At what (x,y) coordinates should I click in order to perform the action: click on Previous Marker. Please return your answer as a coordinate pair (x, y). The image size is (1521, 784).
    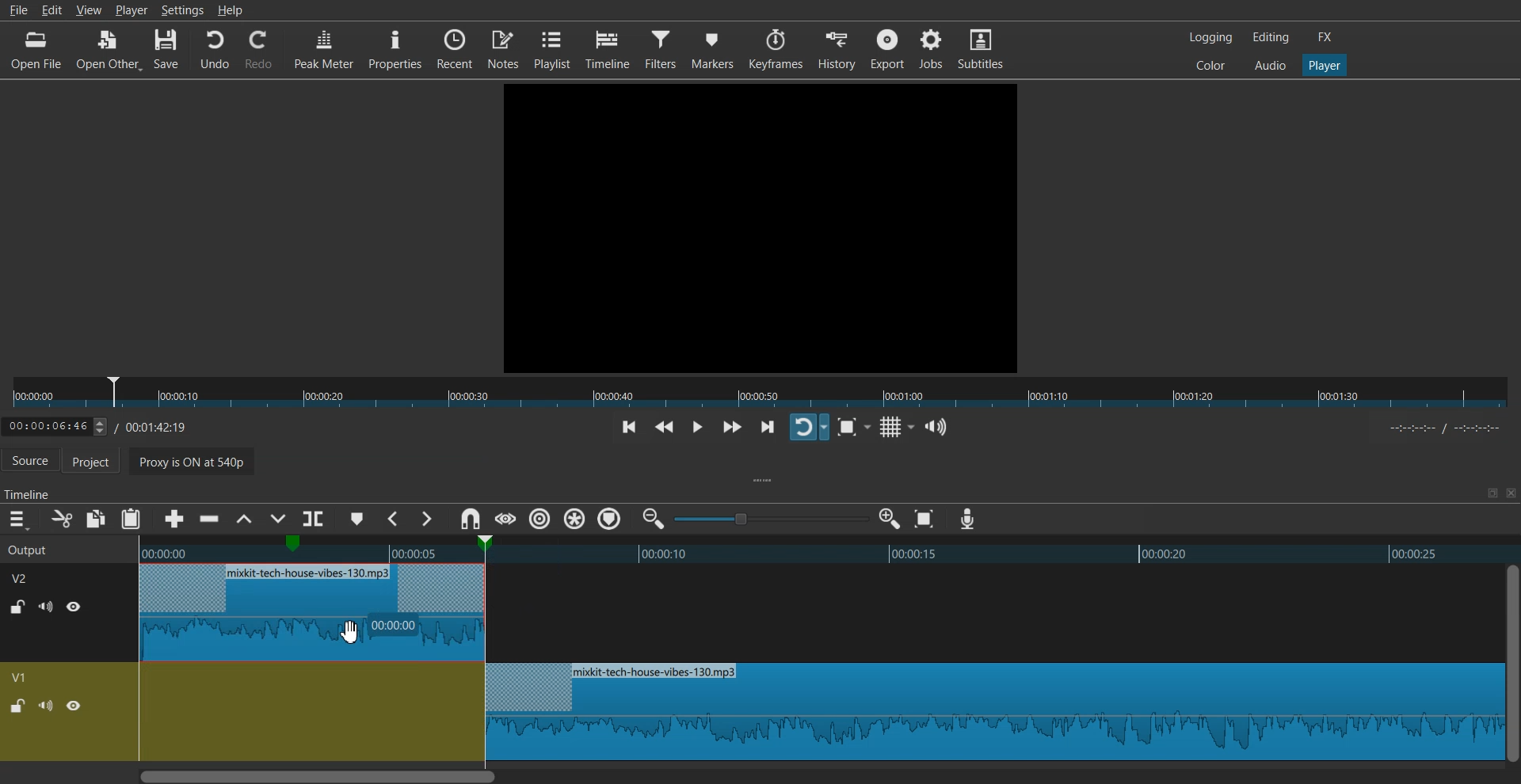
    Looking at the image, I should click on (395, 519).